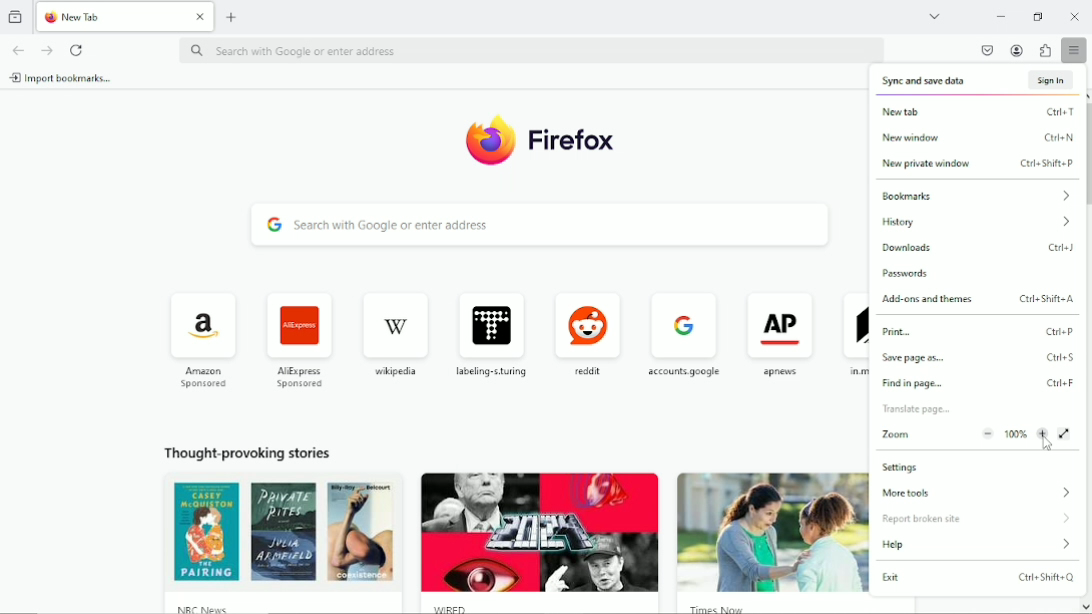 The height and width of the screenshot is (614, 1092). Describe the element at coordinates (63, 79) in the screenshot. I see `Import bookmarks` at that location.